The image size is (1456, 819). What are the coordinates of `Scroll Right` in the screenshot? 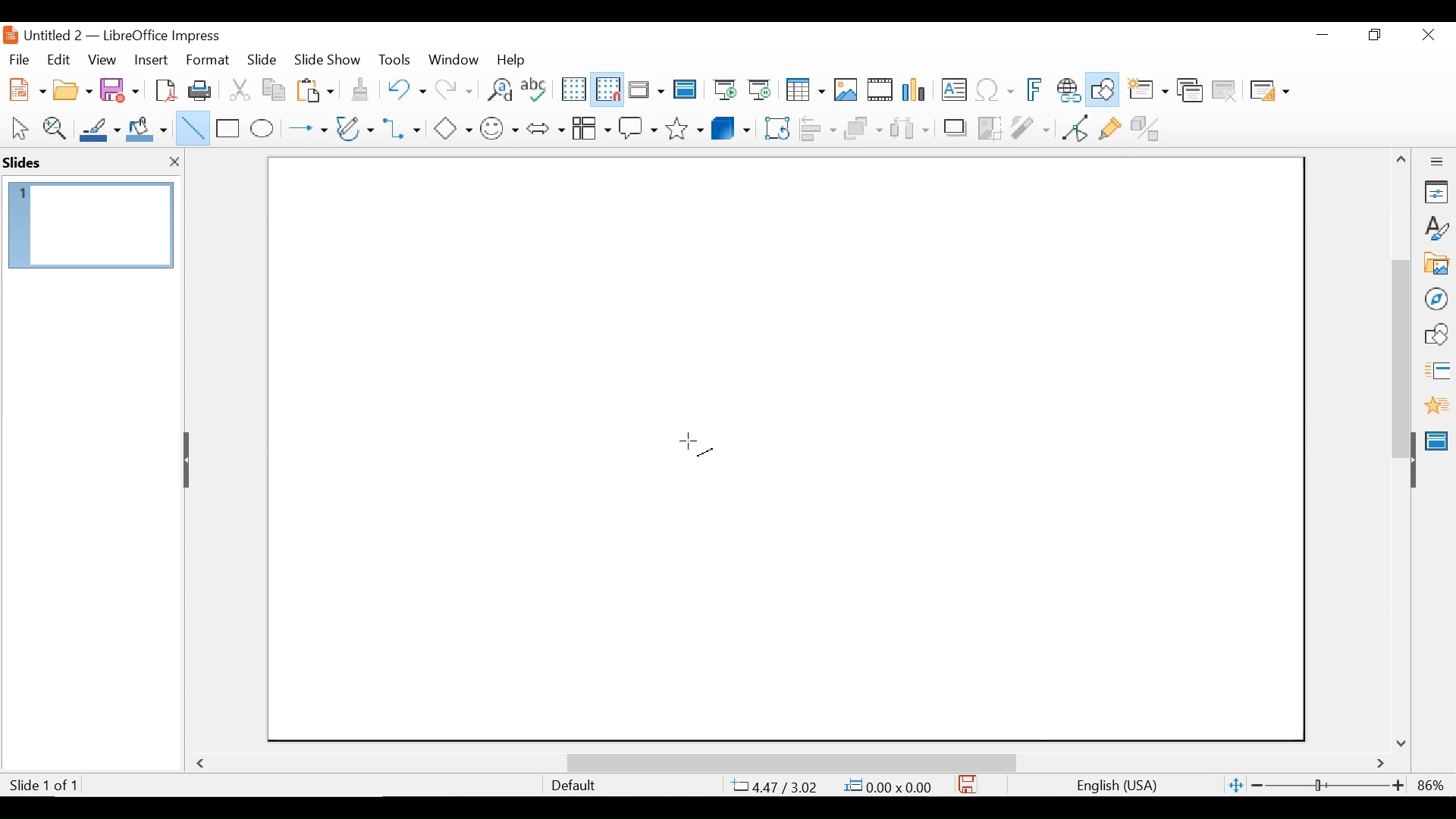 It's located at (1381, 764).